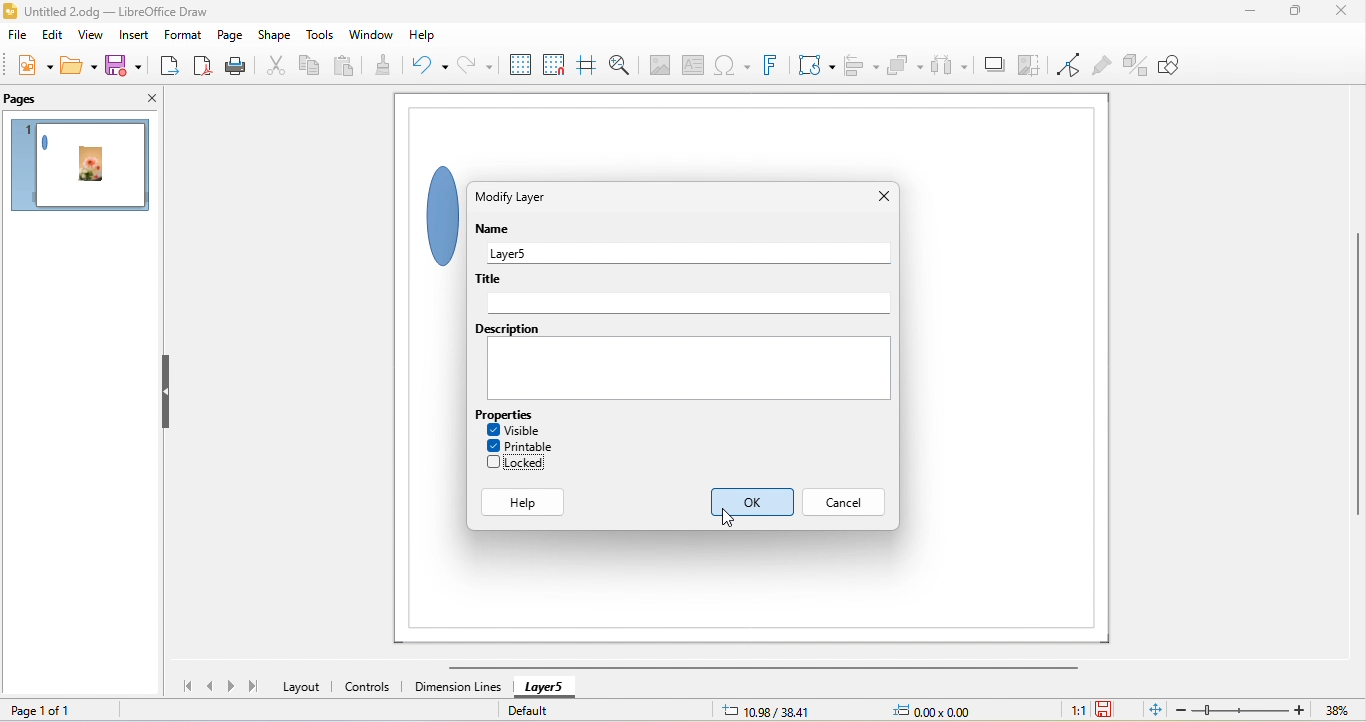 The height and width of the screenshot is (722, 1366). What do you see at coordinates (435, 65) in the screenshot?
I see `undo` at bounding box center [435, 65].